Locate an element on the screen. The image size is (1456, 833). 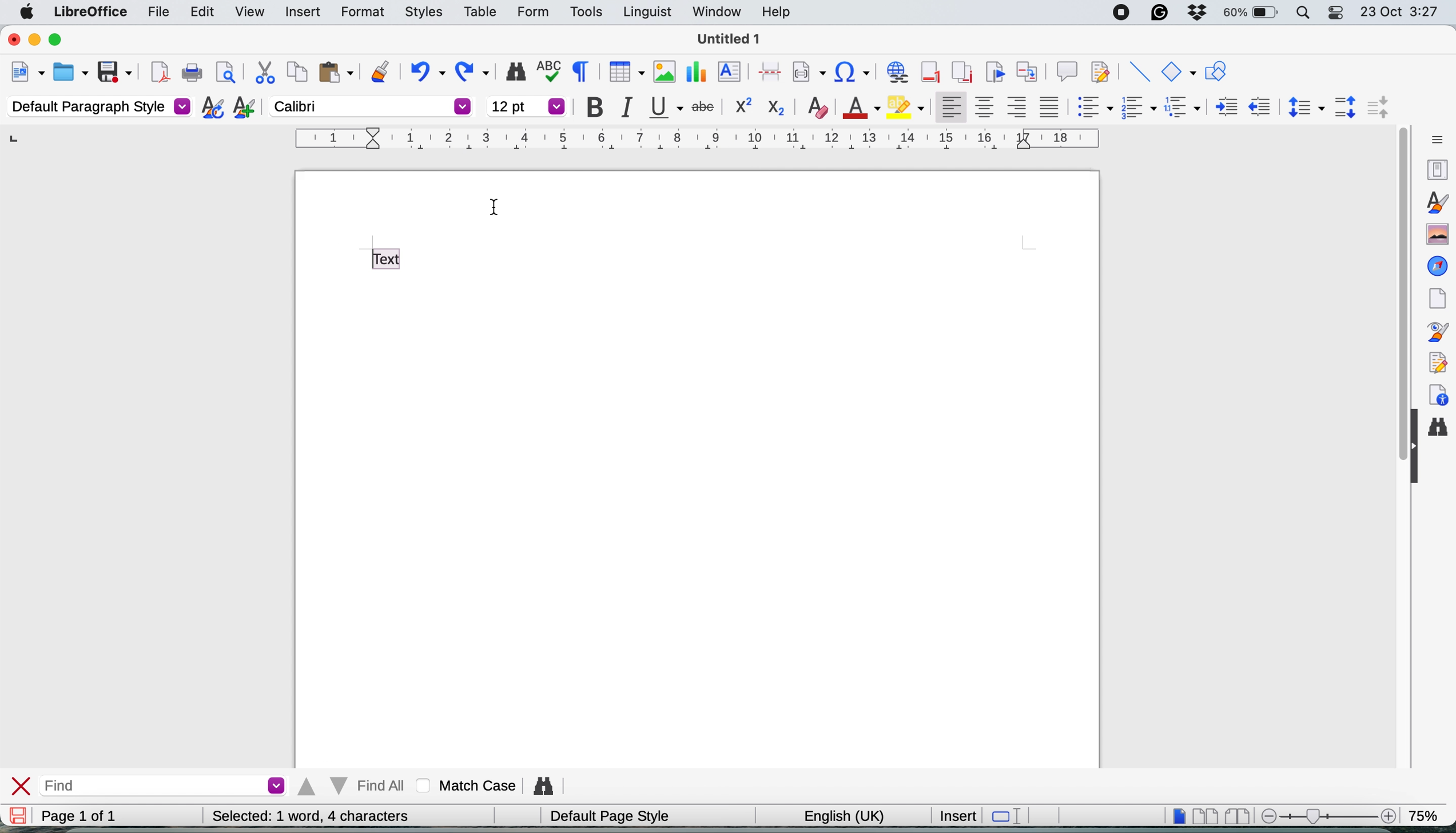
page break is located at coordinates (771, 70).